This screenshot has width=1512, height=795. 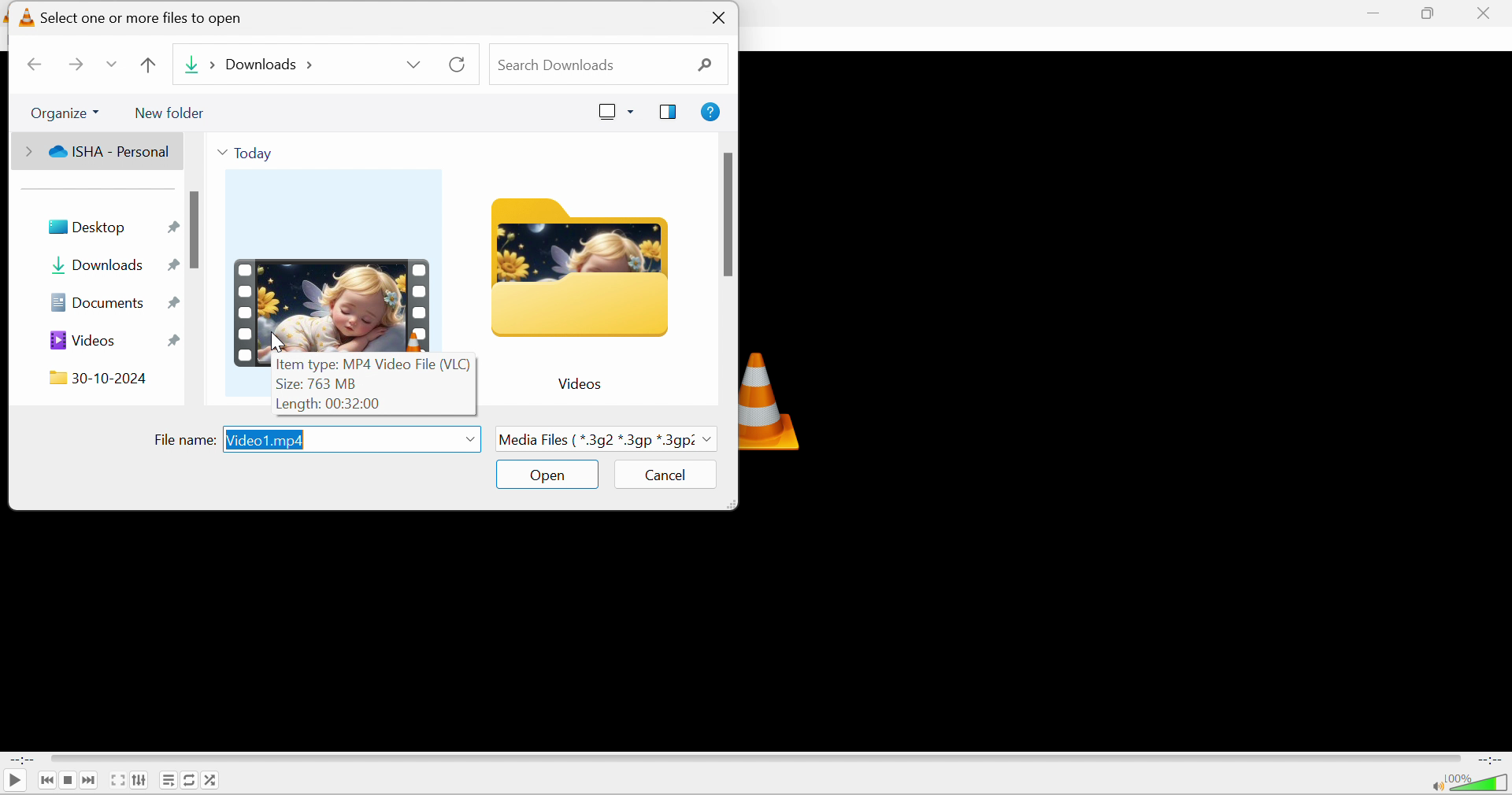 I want to click on Previous media in the playlist, skip backward when held, so click(x=46, y=782).